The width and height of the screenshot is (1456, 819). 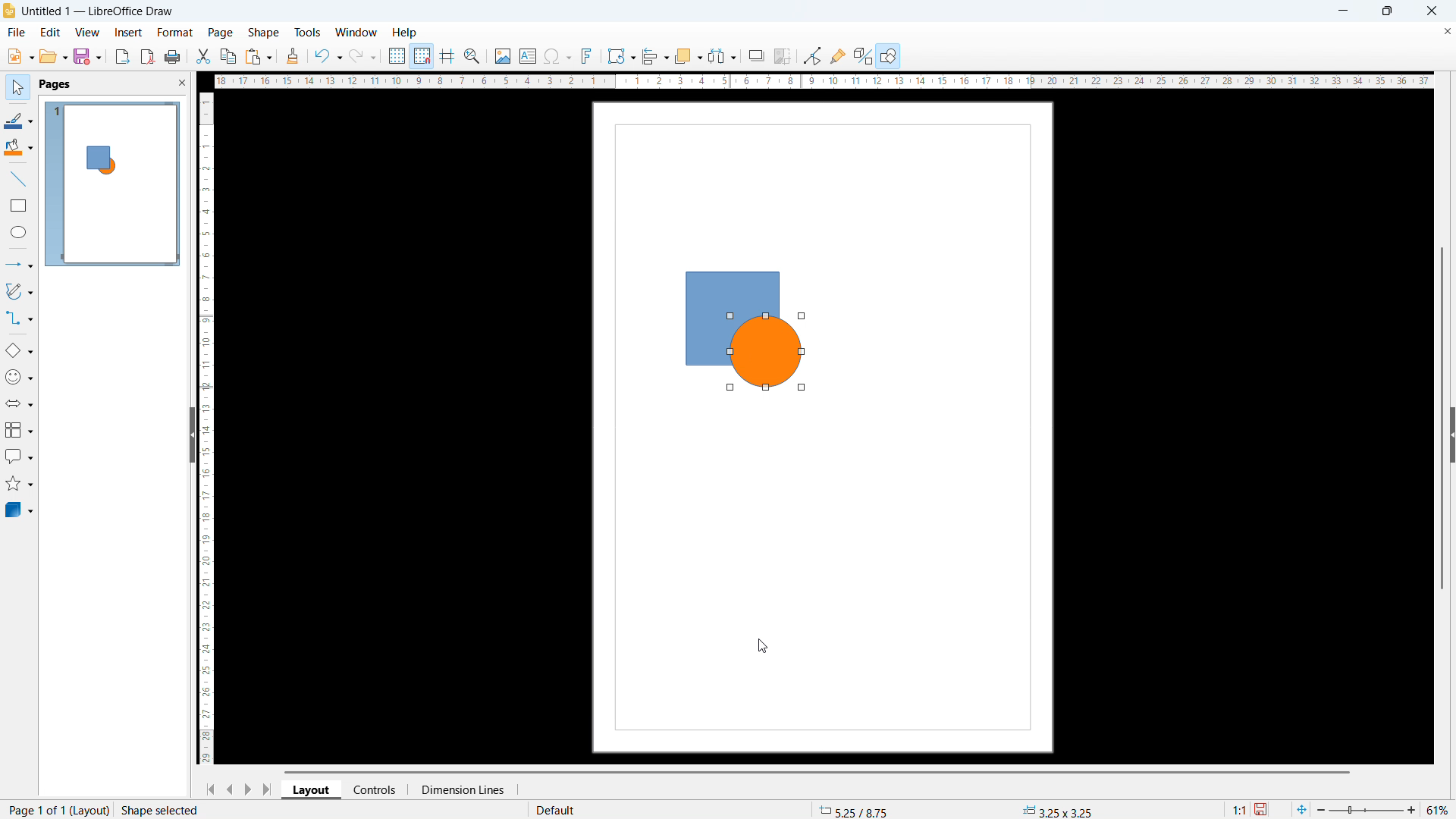 What do you see at coordinates (447, 55) in the screenshot?
I see `guideline while moving` at bounding box center [447, 55].